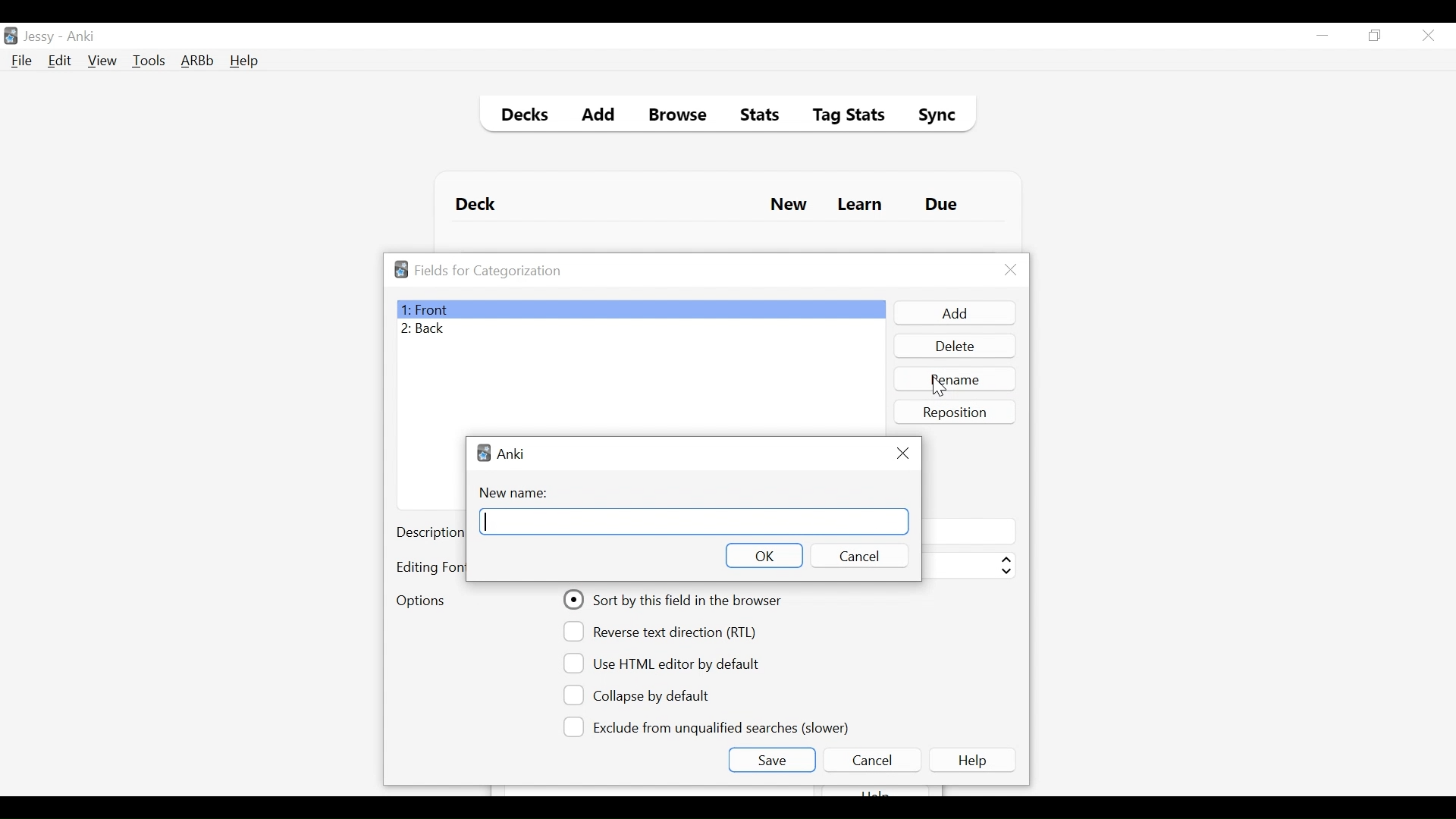  Describe the element at coordinates (518, 493) in the screenshot. I see `New Name` at that location.